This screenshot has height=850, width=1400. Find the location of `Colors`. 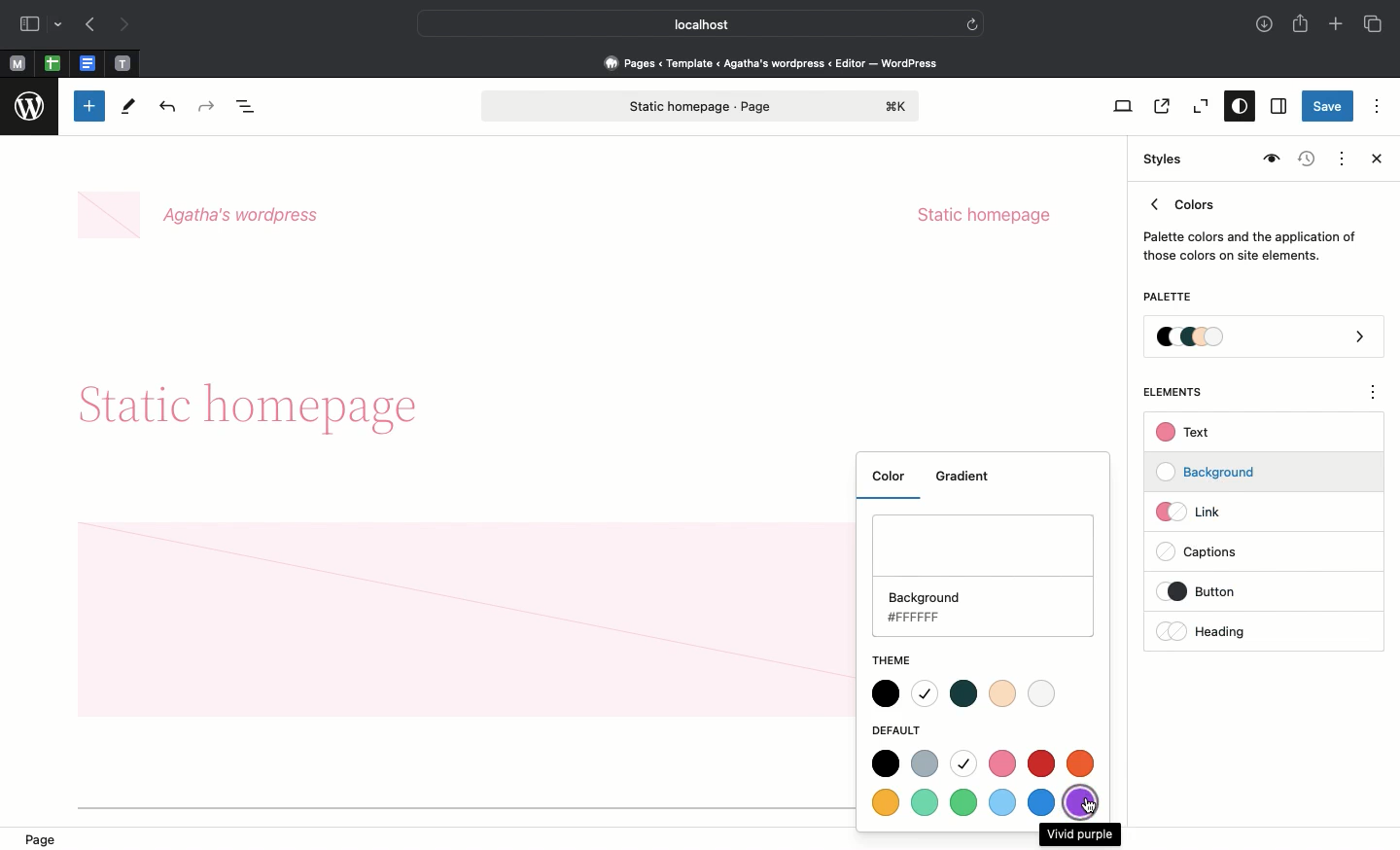

Colors is located at coordinates (1250, 226).